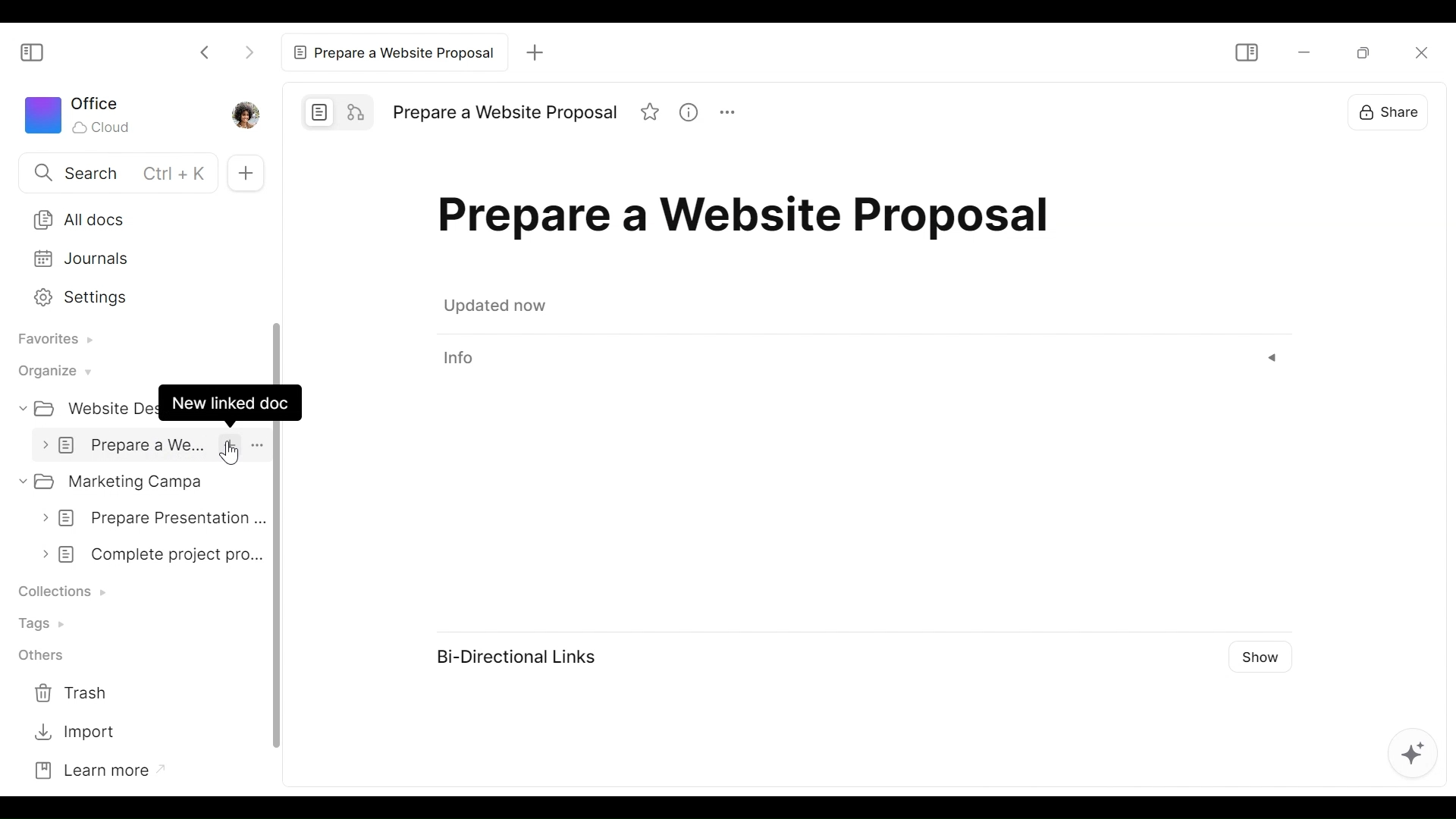 Image resolution: width=1456 pixels, height=819 pixels. What do you see at coordinates (51, 342) in the screenshot?
I see `Favorites` at bounding box center [51, 342].